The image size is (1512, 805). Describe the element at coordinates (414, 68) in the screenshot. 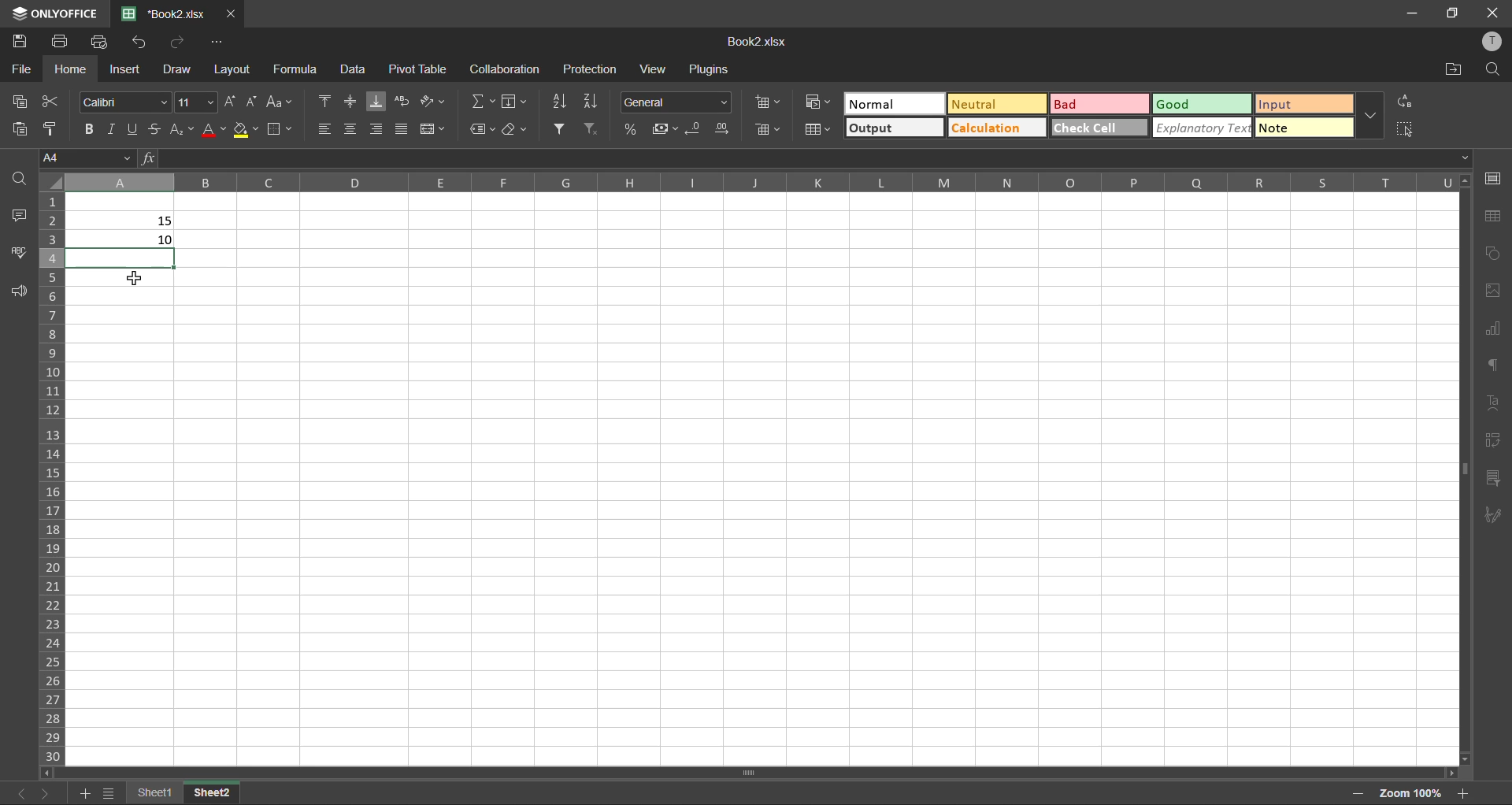

I see `pivot table` at that location.